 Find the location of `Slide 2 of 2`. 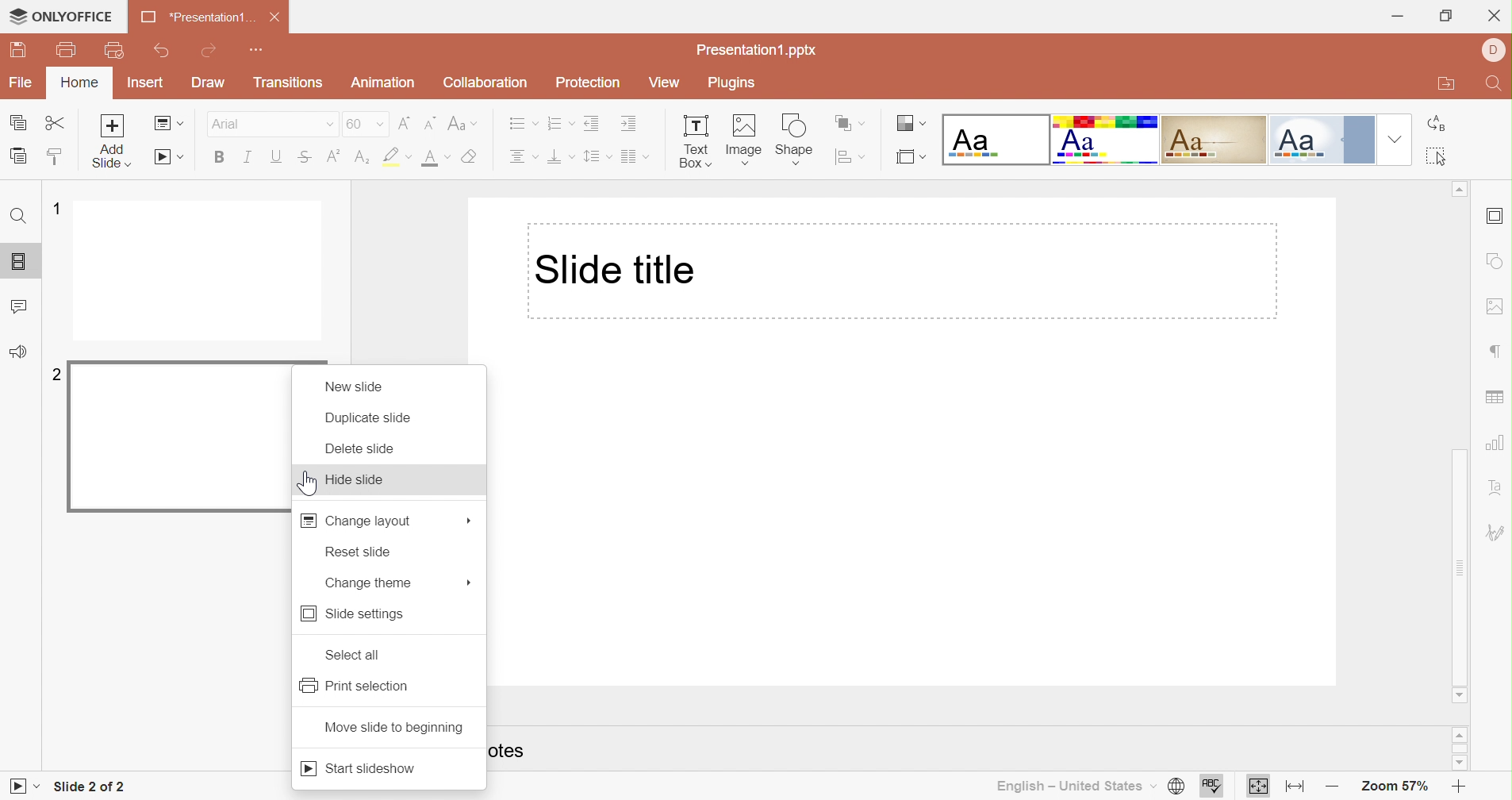

Slide 2 of 2 is located at coordinates (93, 786).